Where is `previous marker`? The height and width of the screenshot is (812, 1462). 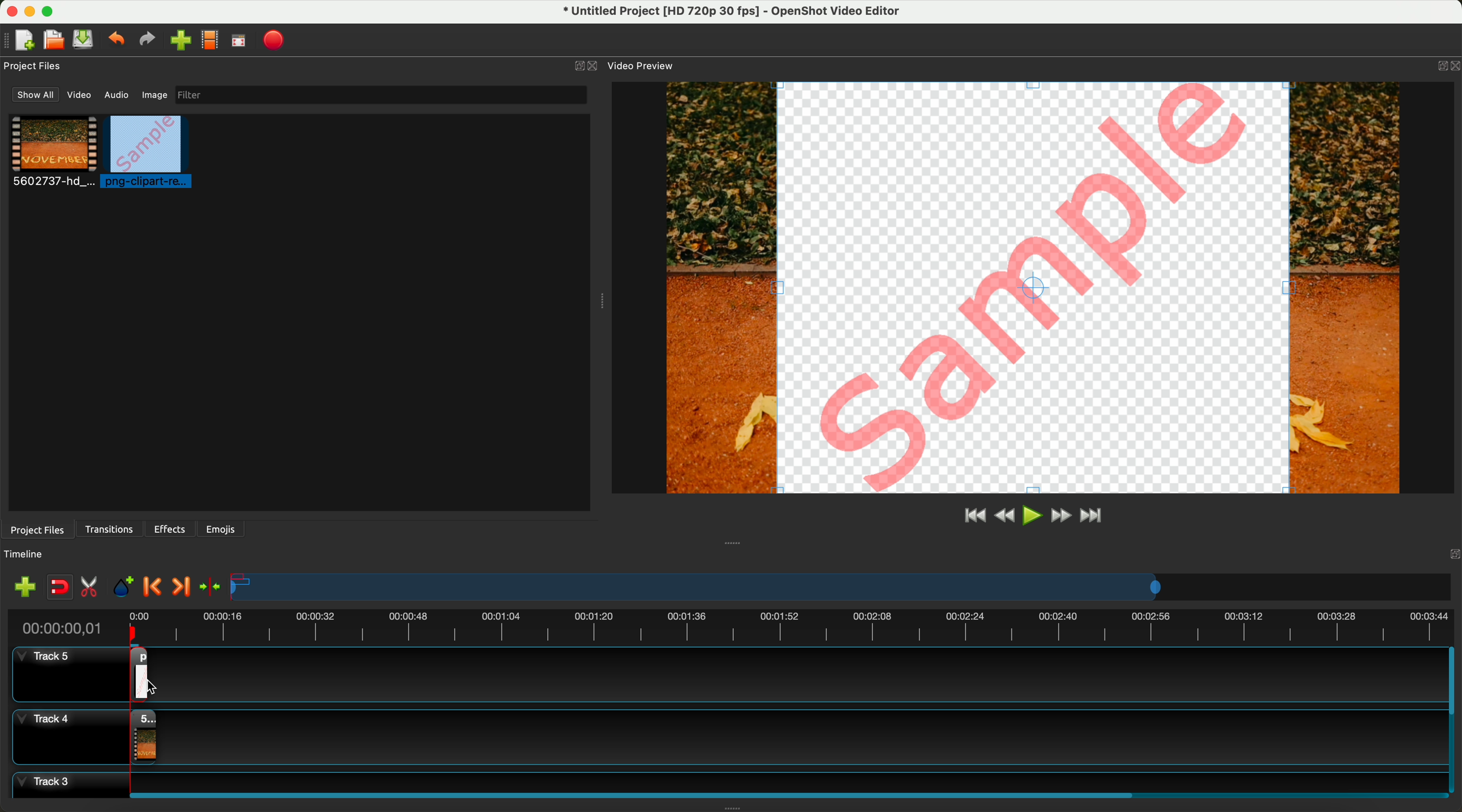
previous marker is located at coordinates (156, 587).